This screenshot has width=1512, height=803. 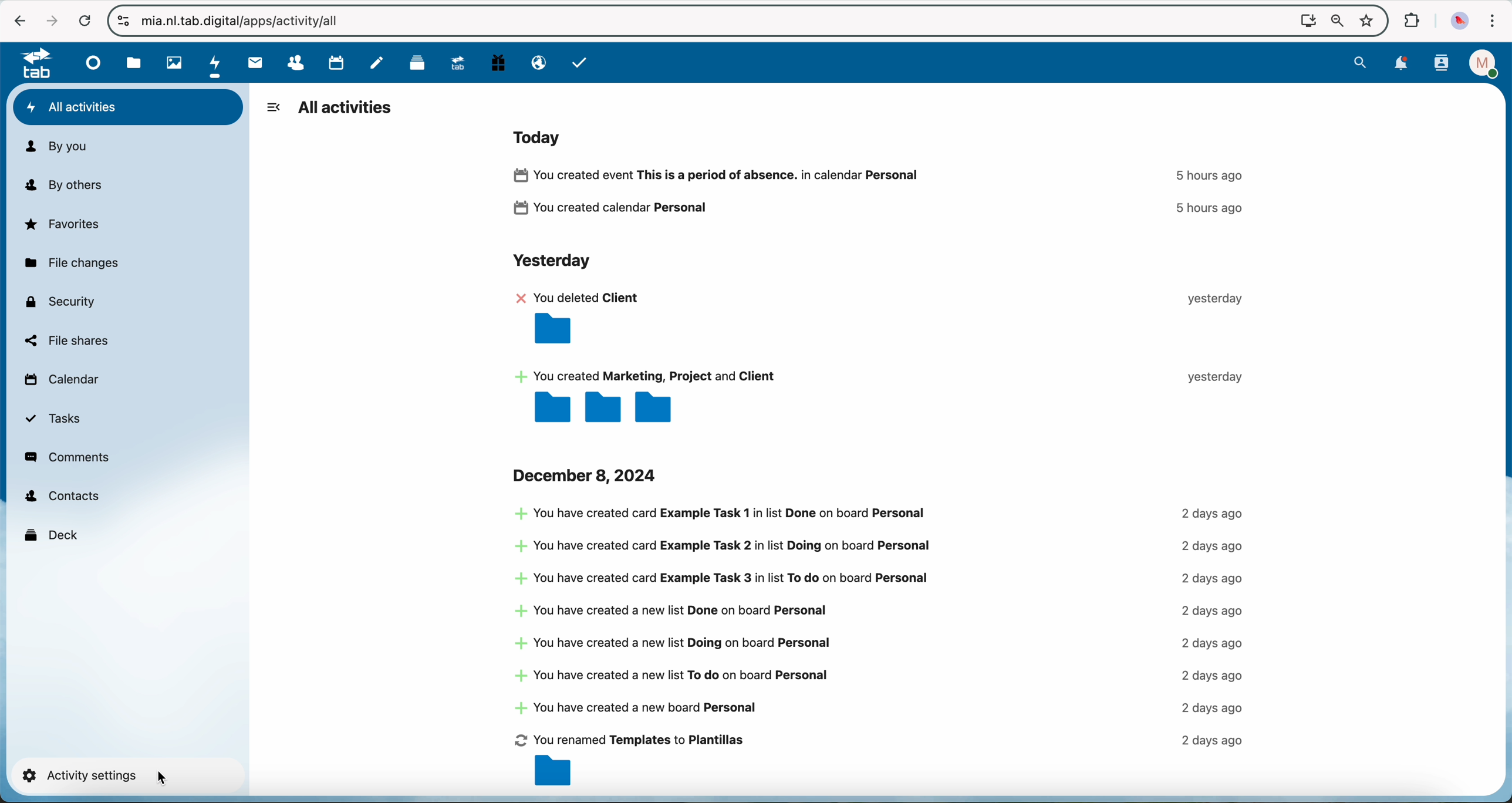 What do you see at coordinates (134, 63) in the screenshot?
I see `files` at bounding box center [134, 63].